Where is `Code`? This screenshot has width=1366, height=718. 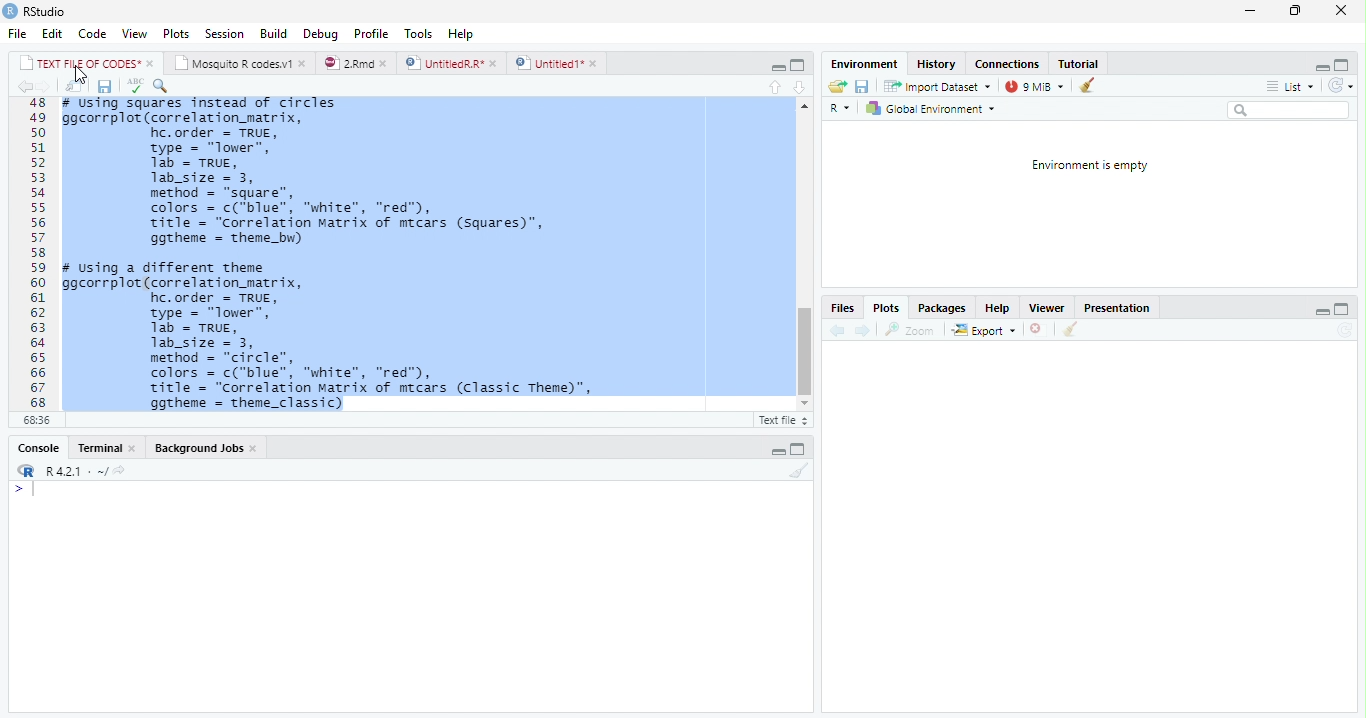
Code is located at coordinates (92, 35).